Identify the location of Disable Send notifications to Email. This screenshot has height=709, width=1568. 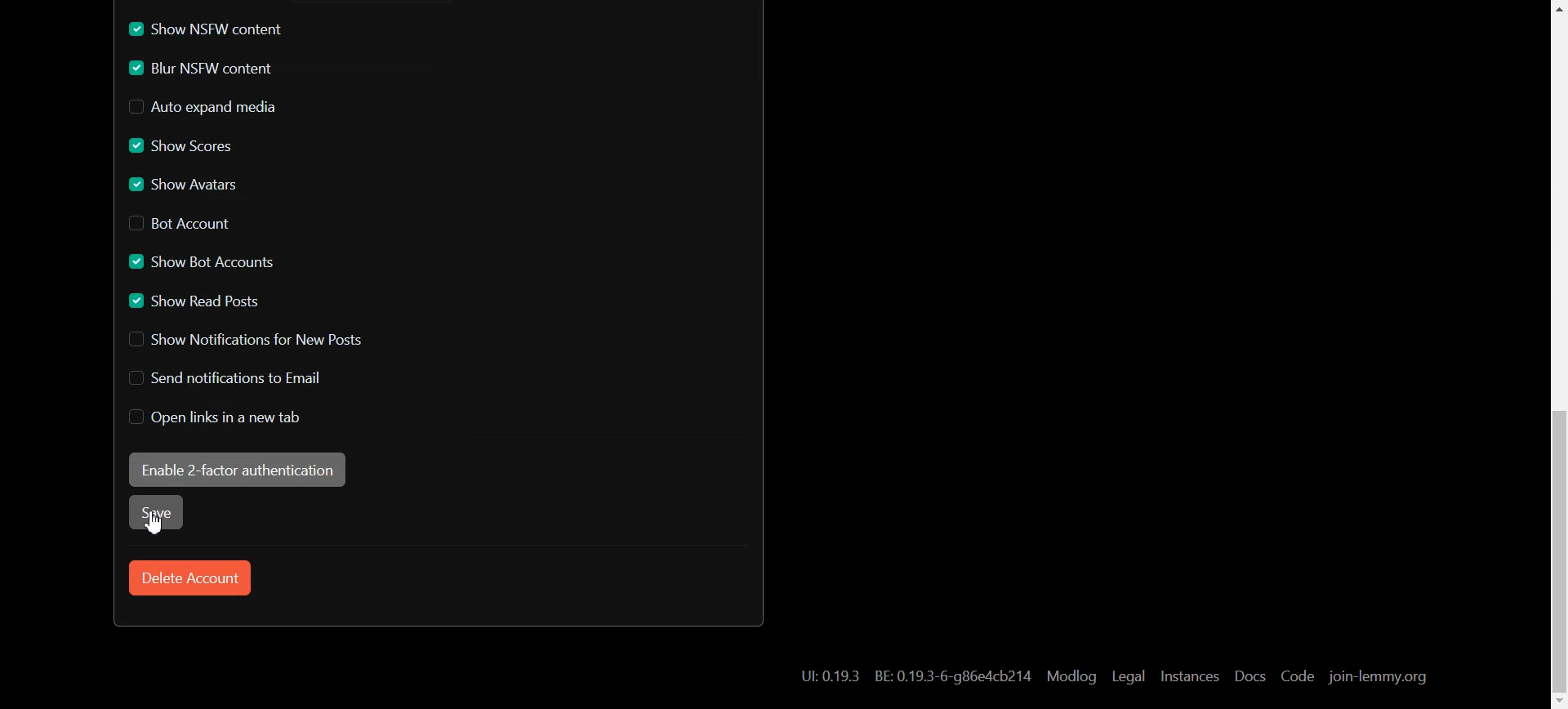
(228, 379).